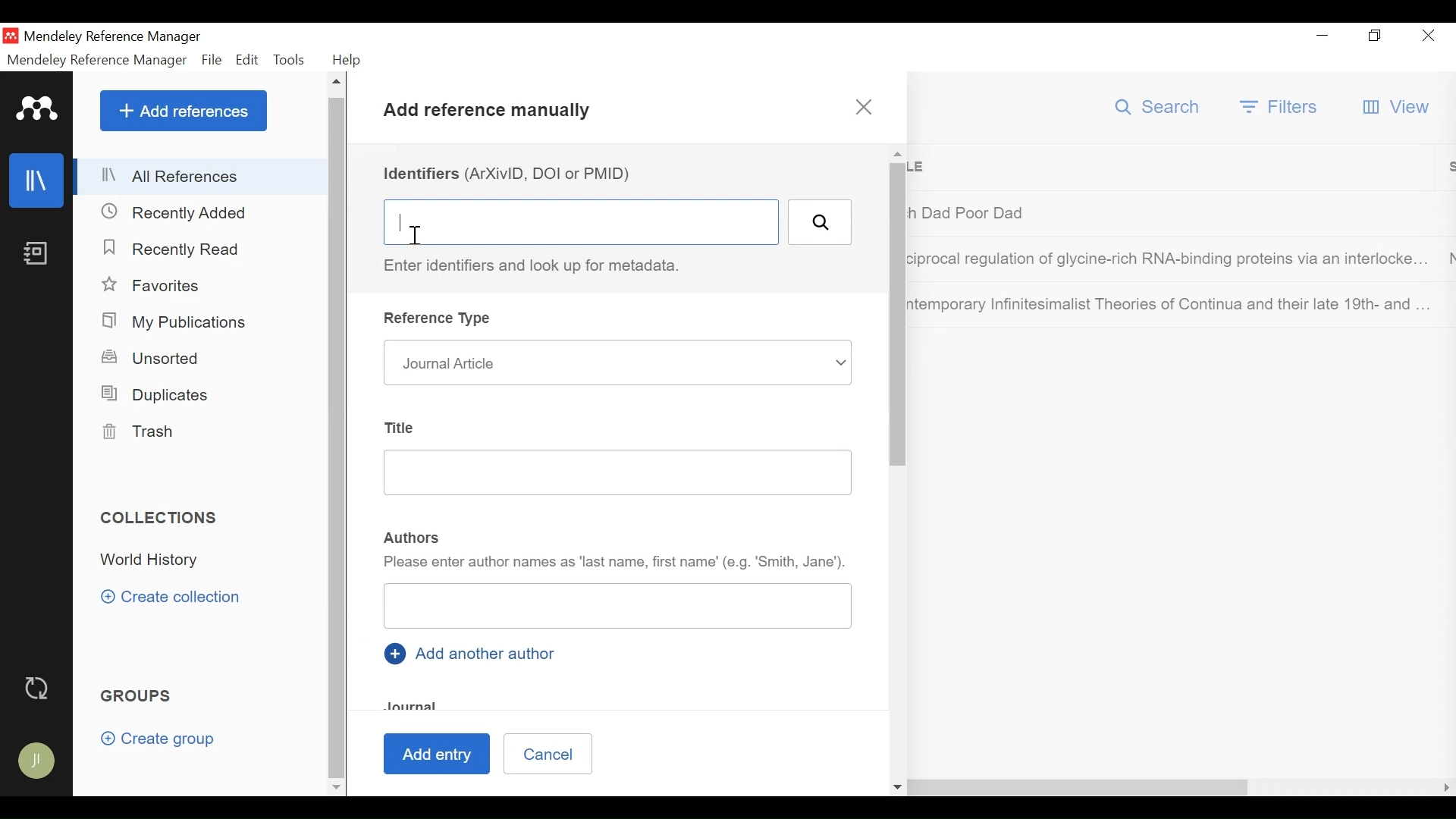 The image size is (1456, 819). Describe the element at coordinates (1157, 107) in the screenshot. I see `Search` at that location.